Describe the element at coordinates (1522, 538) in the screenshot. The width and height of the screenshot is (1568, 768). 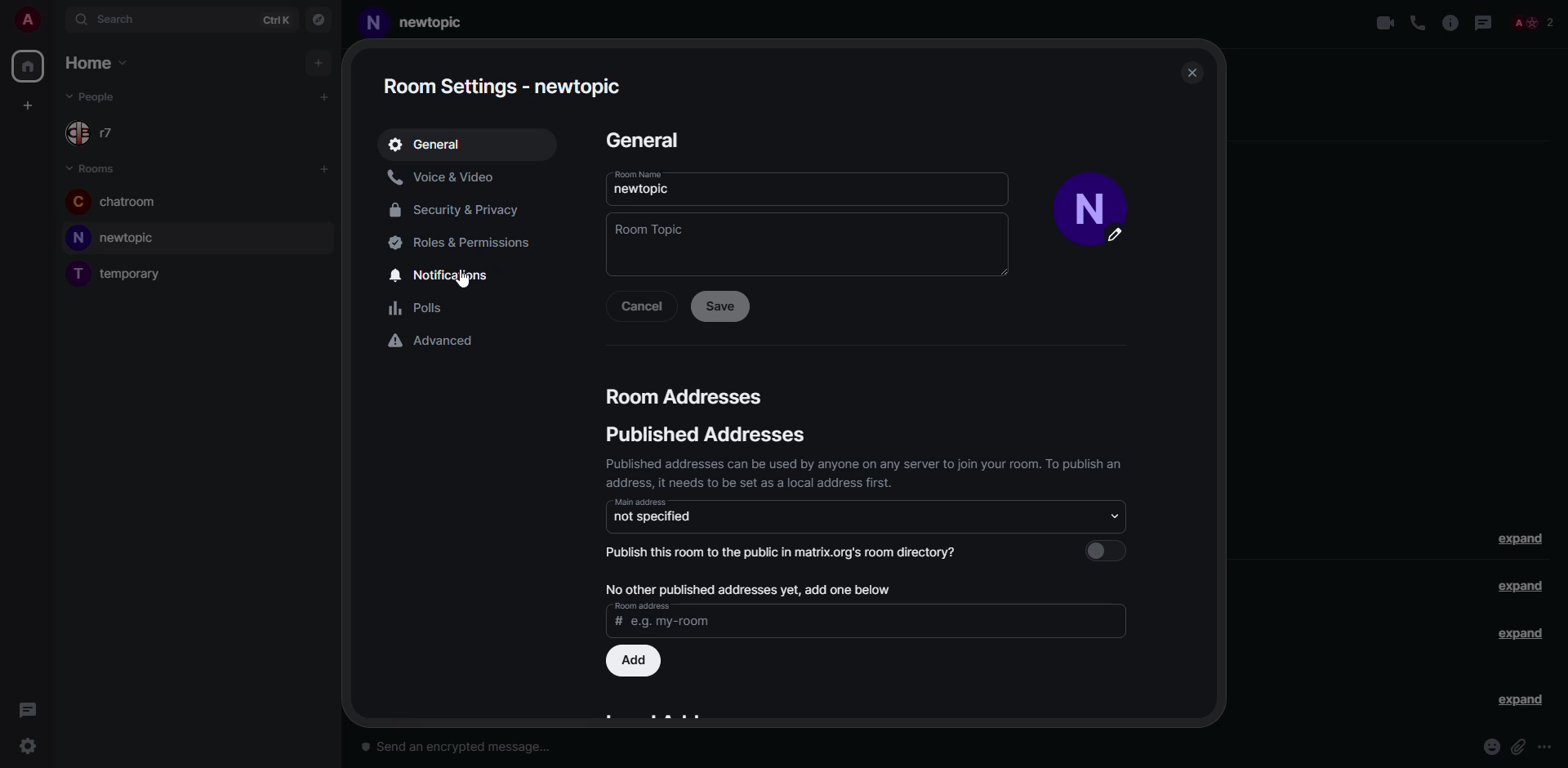
I see `expand` at that location.